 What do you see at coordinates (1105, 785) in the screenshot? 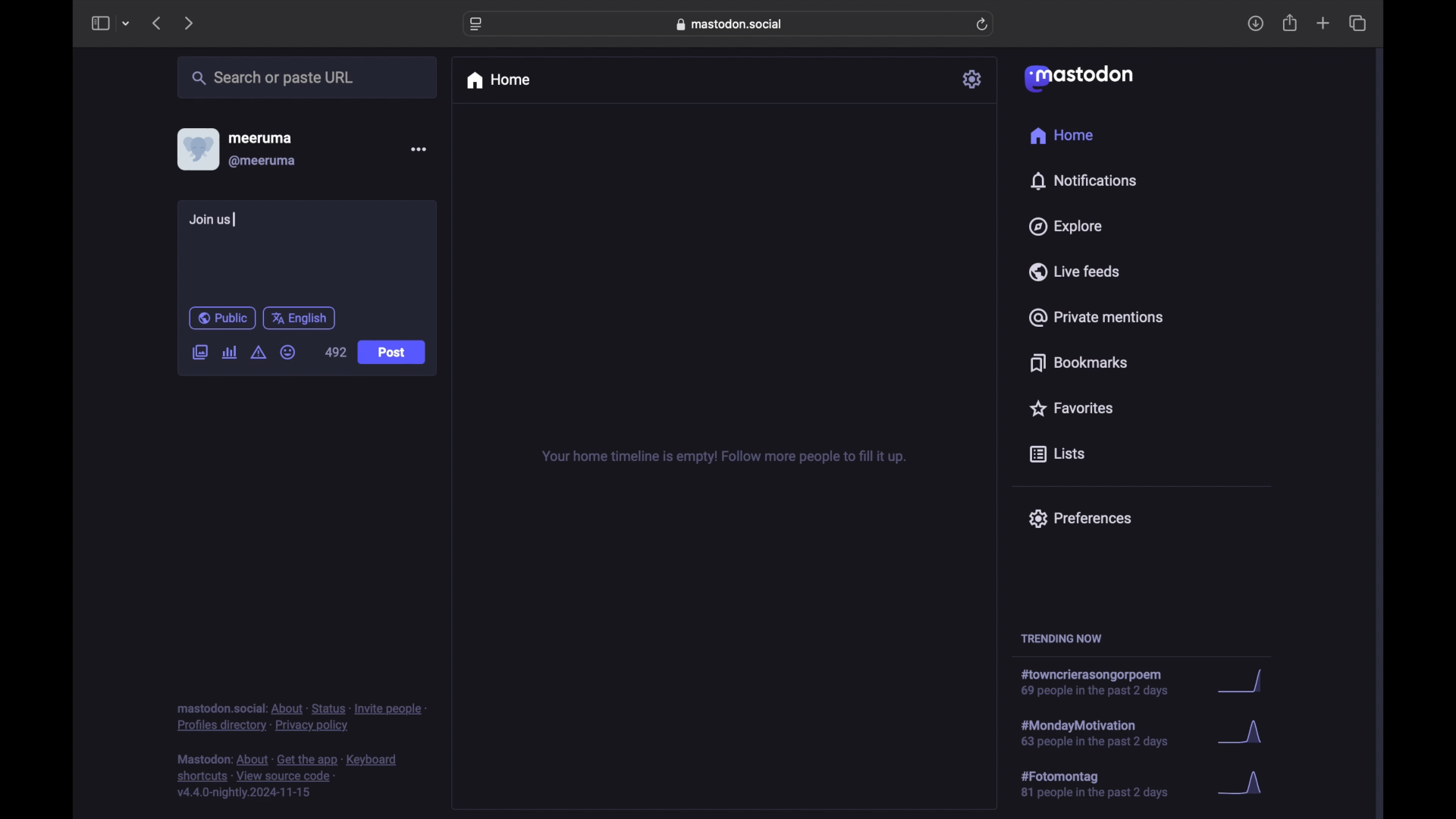
I see `hashtag trend` at bounding box center [1105, 785].